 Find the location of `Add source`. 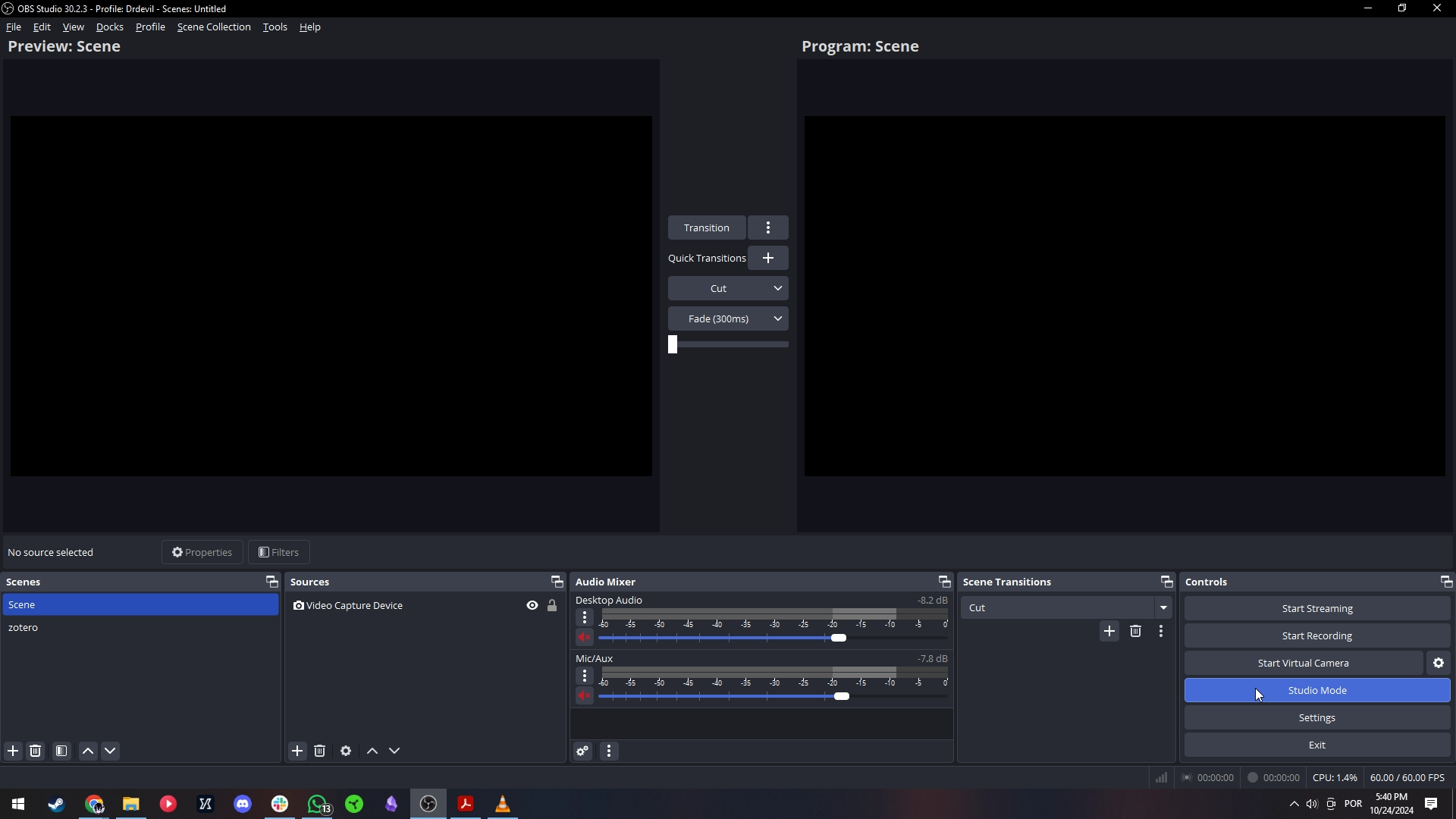

Add source is located at coordinates (297, 751).